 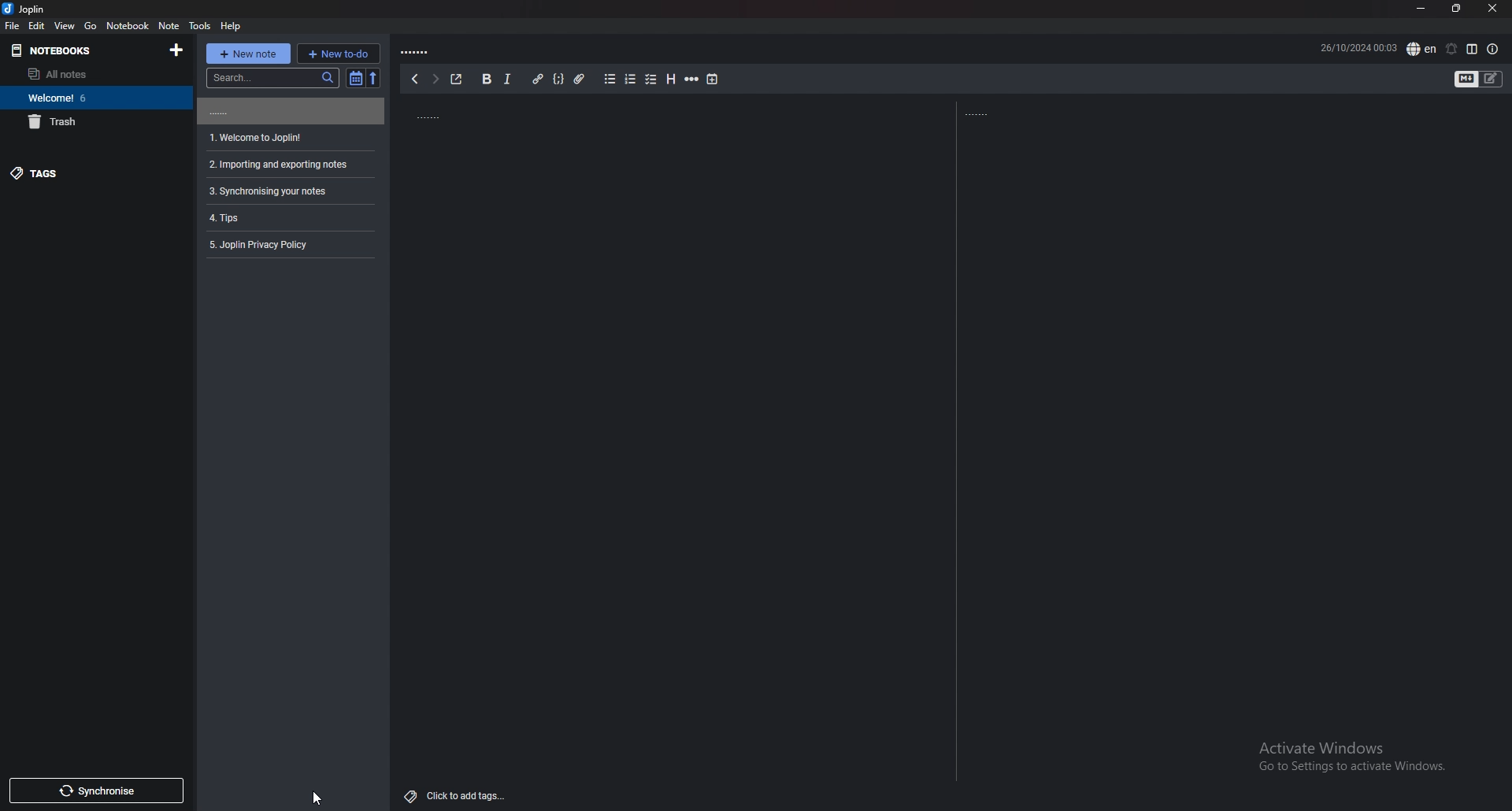 I want to click on tags, so click(x=88, y=175).